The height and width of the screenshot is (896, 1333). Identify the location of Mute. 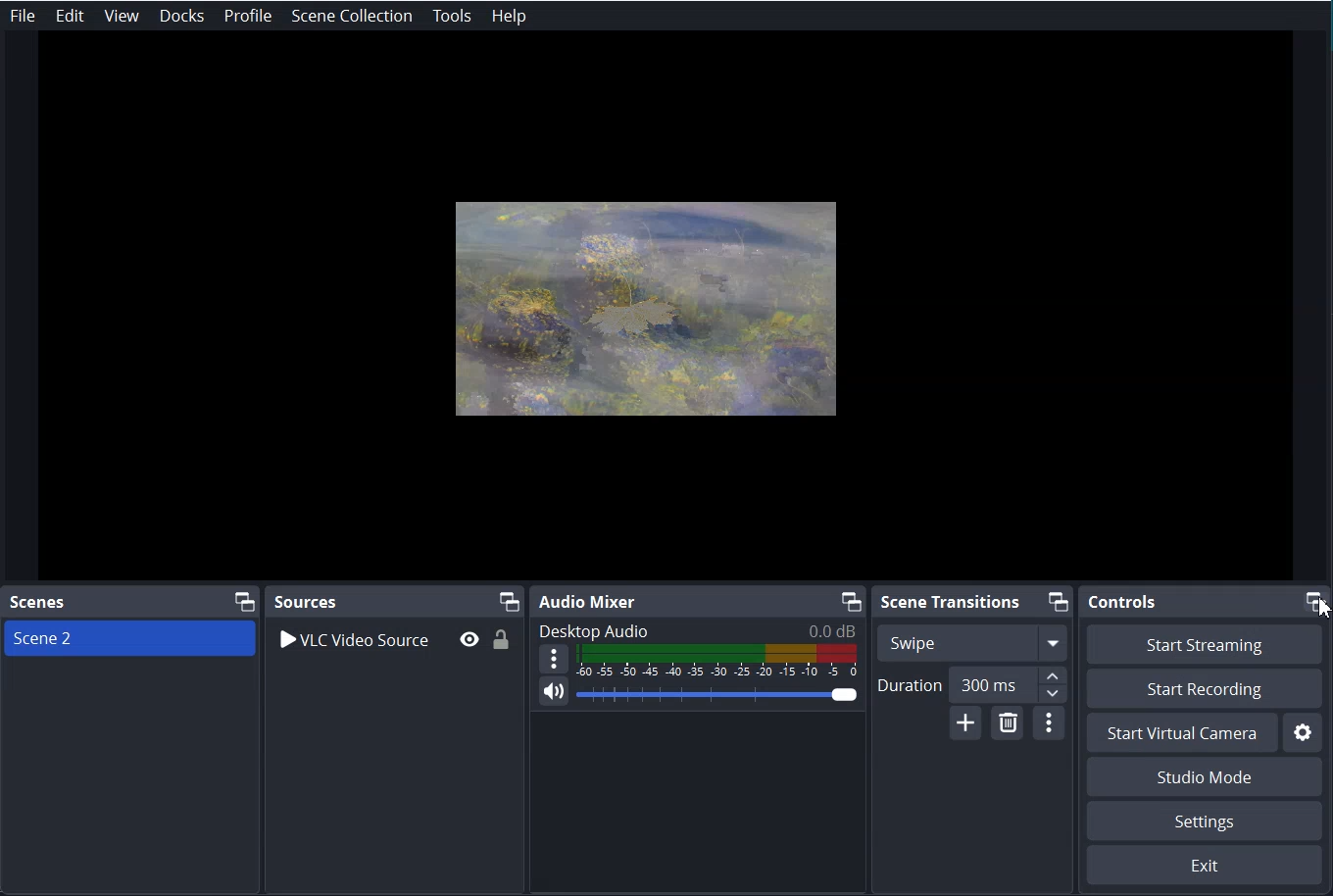
(554, 691).